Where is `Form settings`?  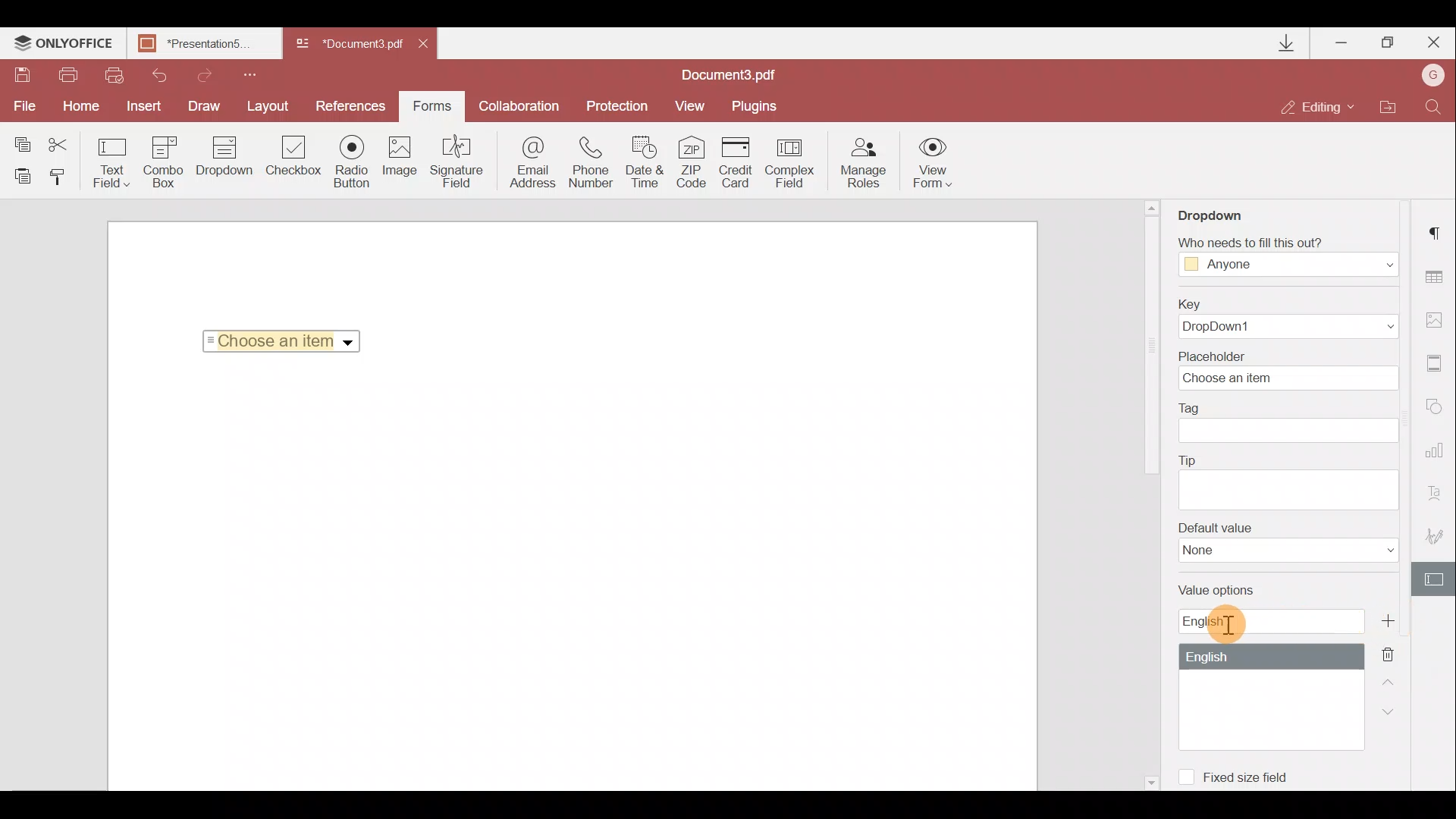
Form settings is located at coordinates (1436, 579).